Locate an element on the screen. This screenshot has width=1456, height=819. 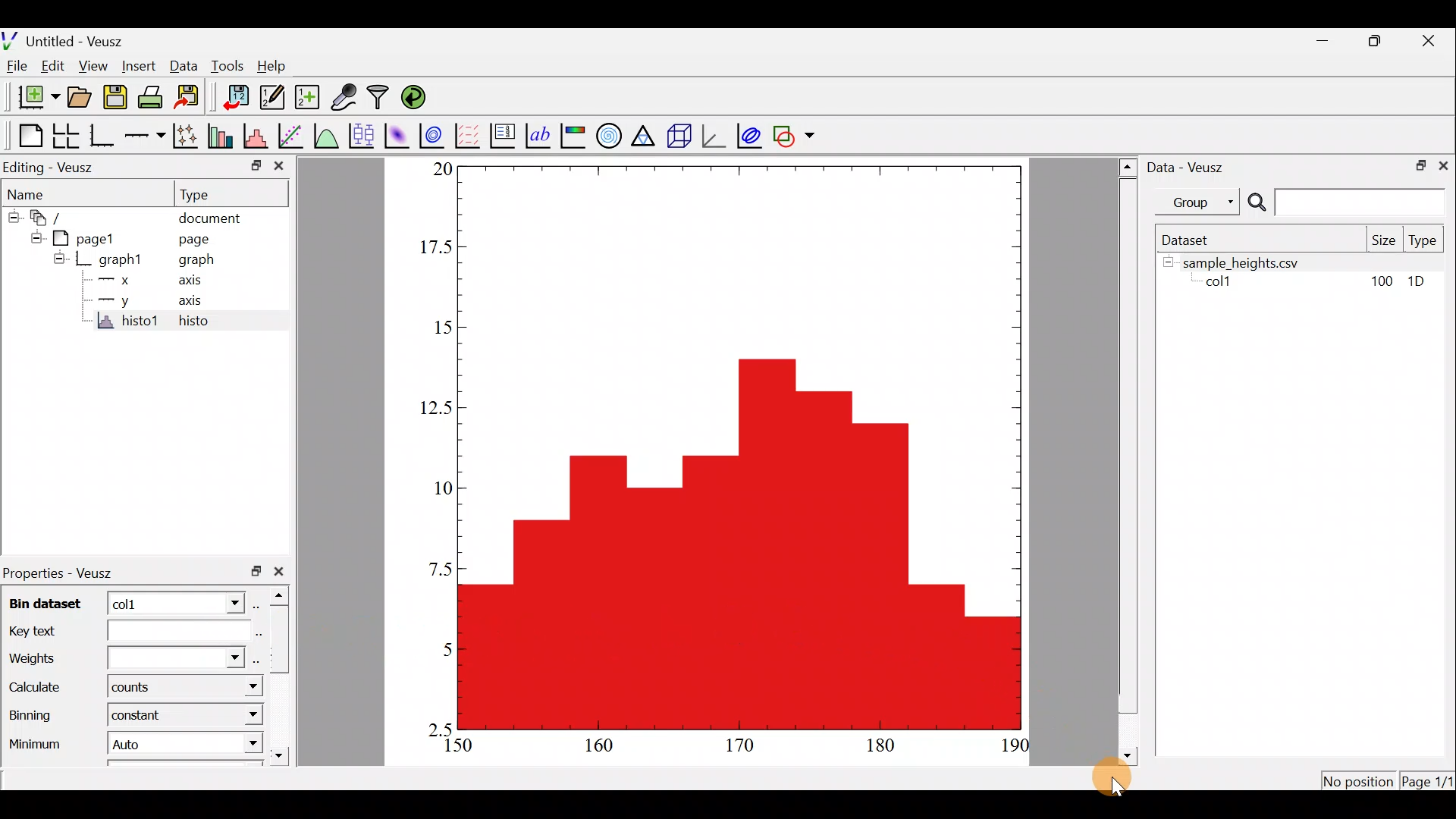
150 is located at coordinates (455, 746).